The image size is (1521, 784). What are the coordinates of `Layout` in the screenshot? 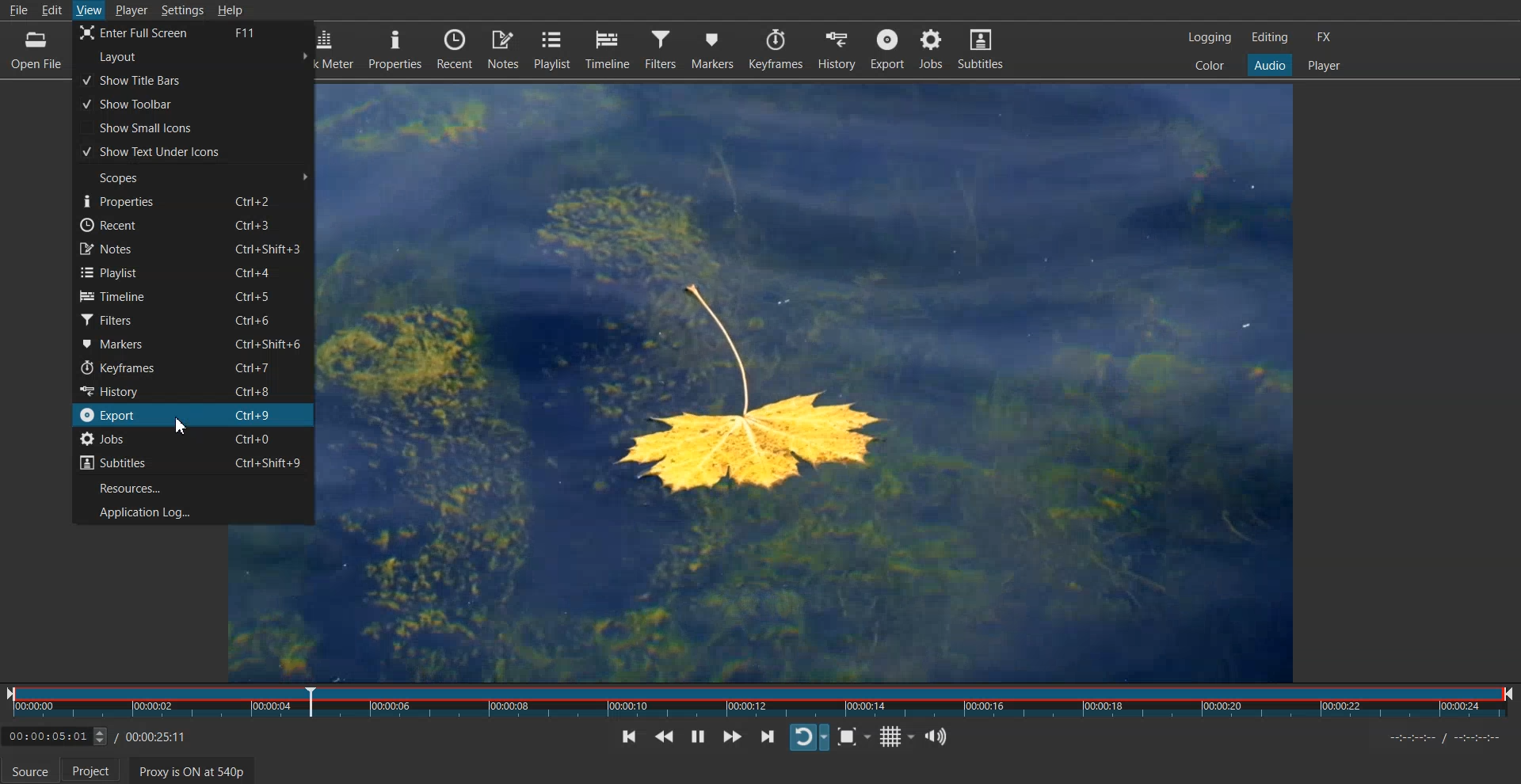 It's located at (194, 57).